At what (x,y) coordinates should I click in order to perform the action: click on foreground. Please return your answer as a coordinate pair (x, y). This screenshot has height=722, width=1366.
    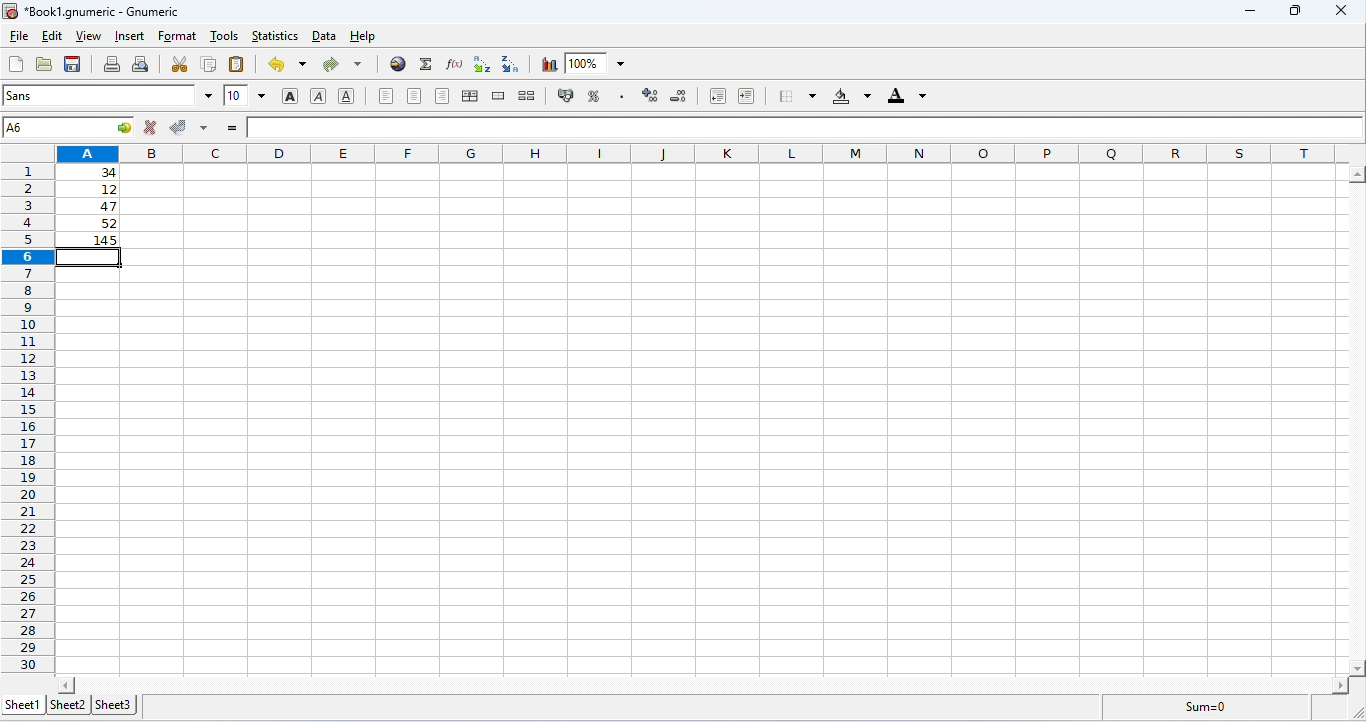
    Looking at the image, I should click on (907, 95).